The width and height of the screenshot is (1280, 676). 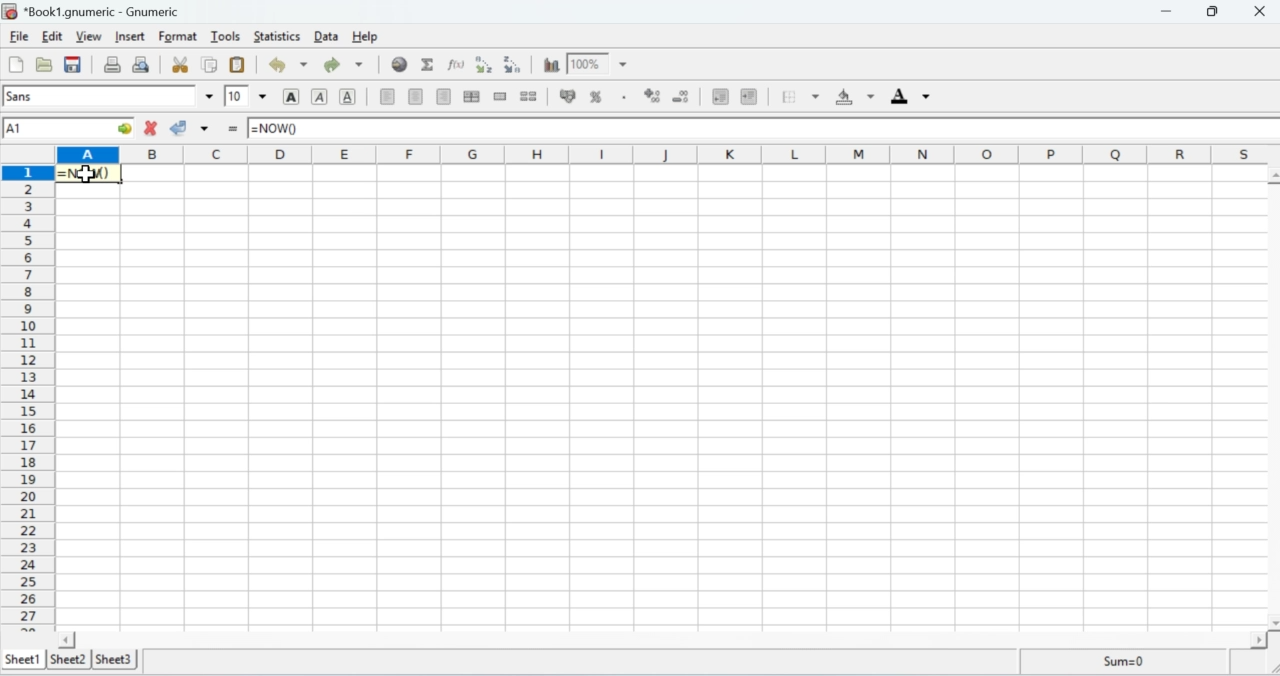 I want to click on Cut the selection, so click(x=183, y=63).